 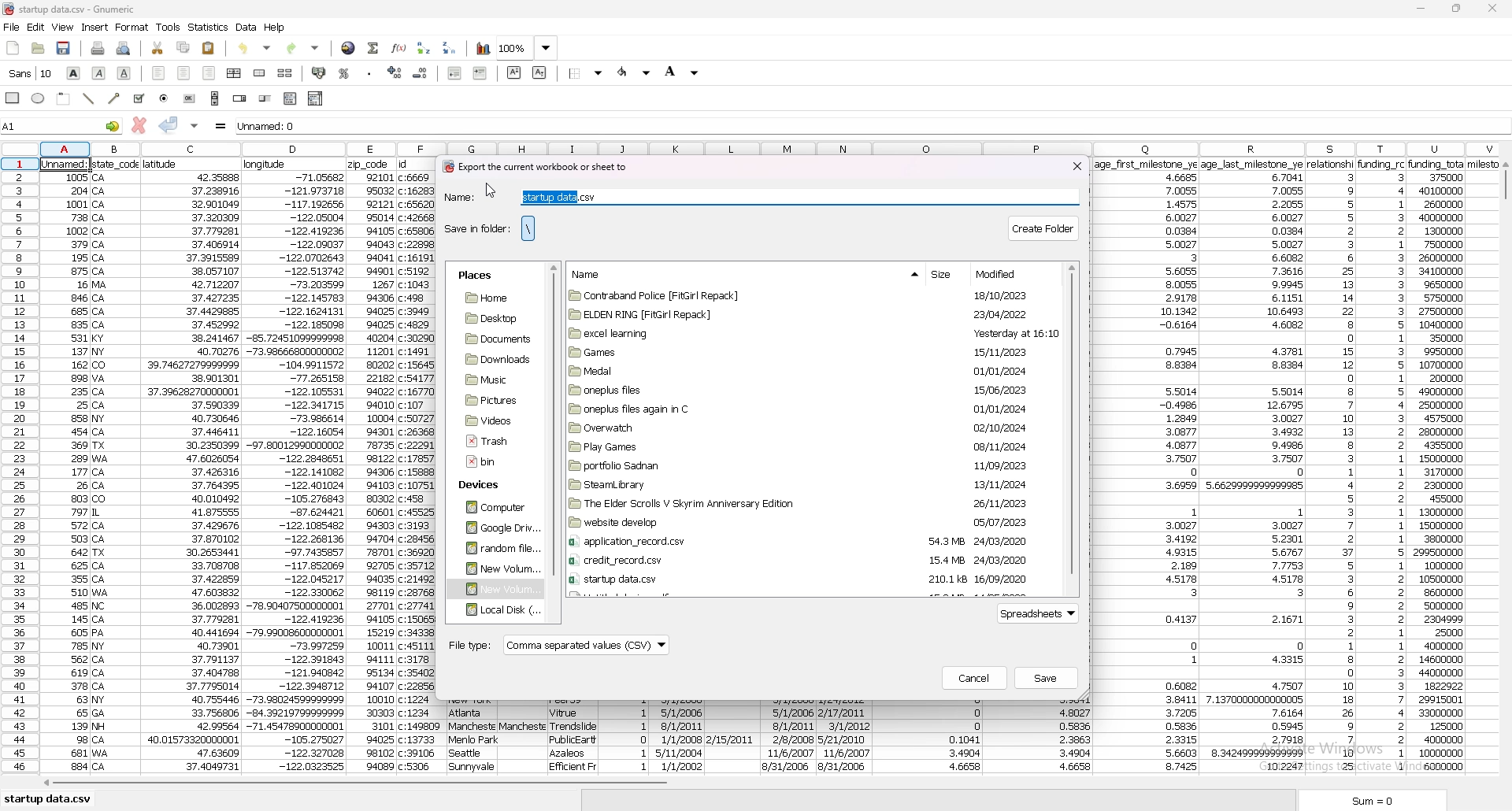 I want to click on selected cell, so click(x=68, y=162).